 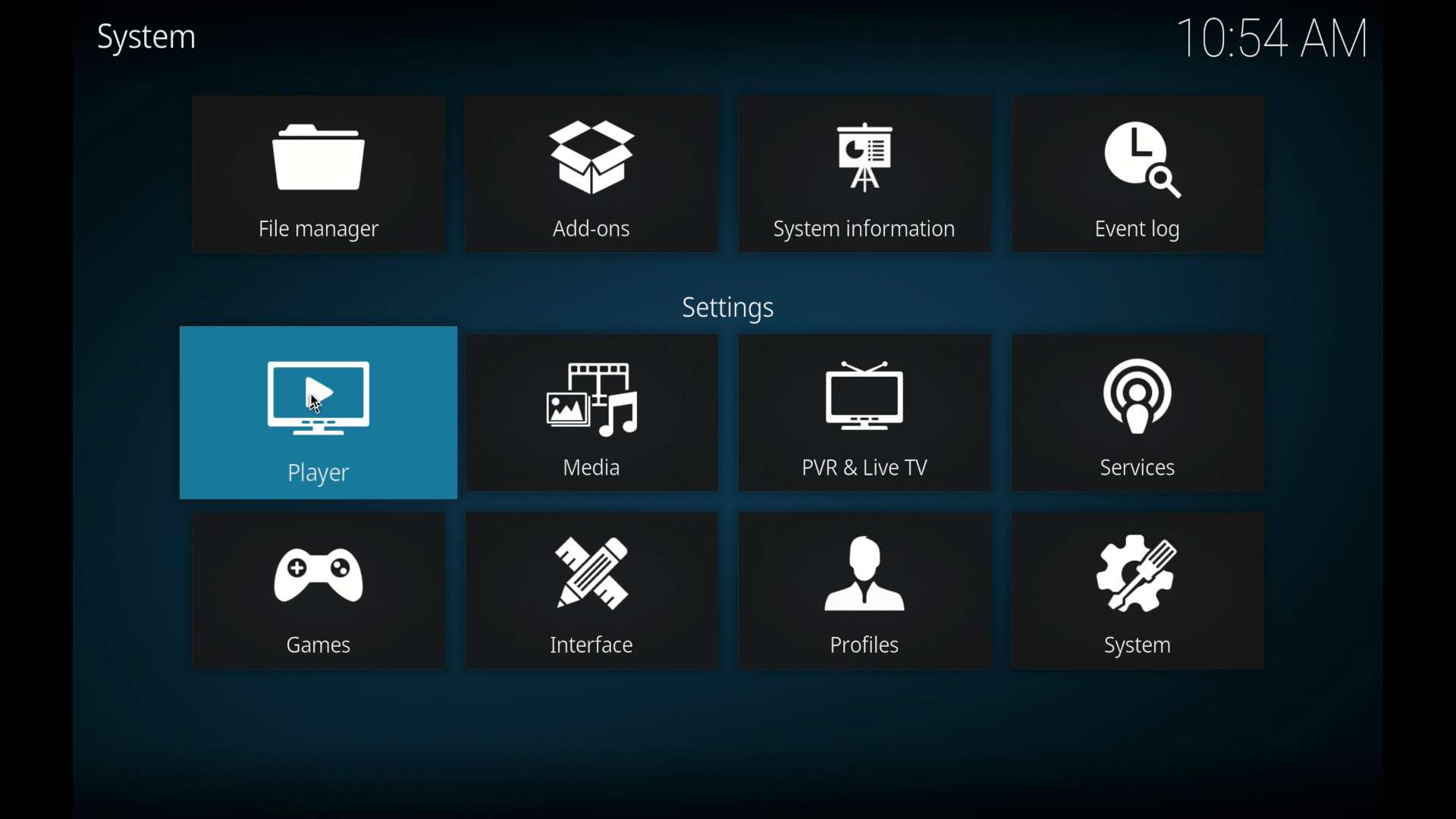 I want to click on system, so click(x=1141, y=592).